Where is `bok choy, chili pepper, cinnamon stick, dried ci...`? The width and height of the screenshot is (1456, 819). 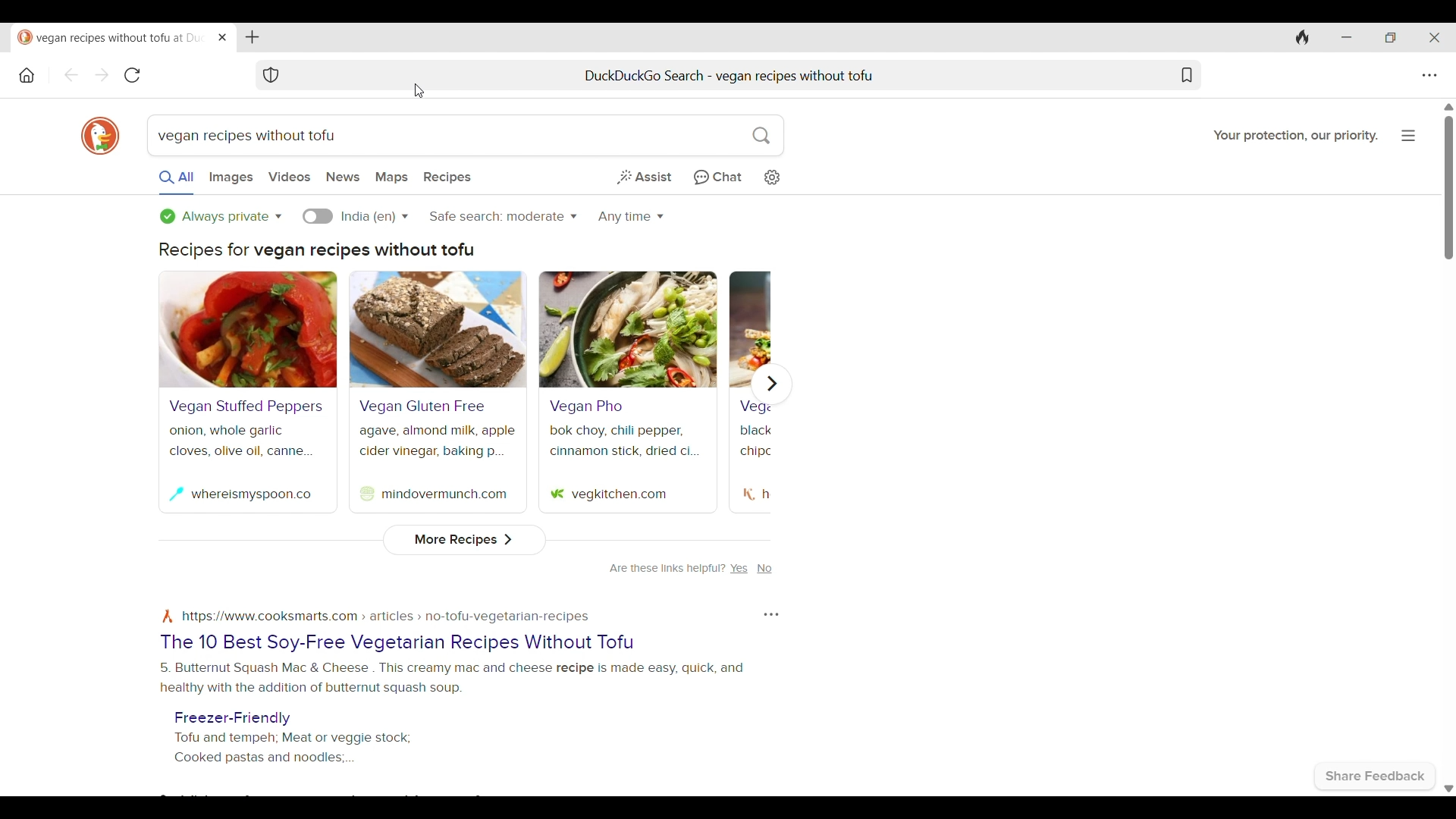
bok choy, chili pepper, cinnamon stick, dried ci... is located at coordinates (626, 441).